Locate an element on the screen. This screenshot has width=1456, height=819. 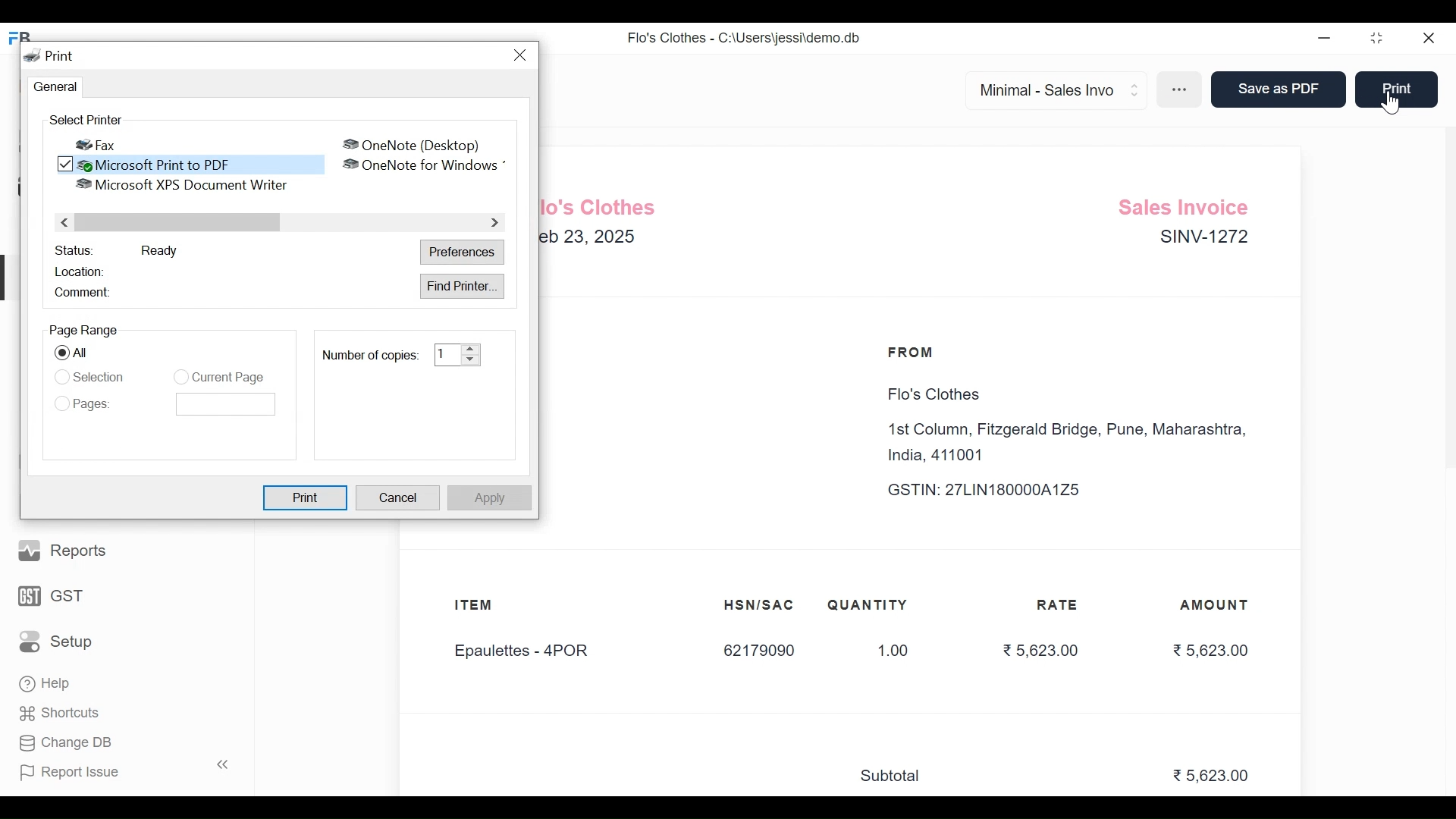
Flo's Clothes - C:\Users\jessi\demo.db is located at coordinates (744, 36).